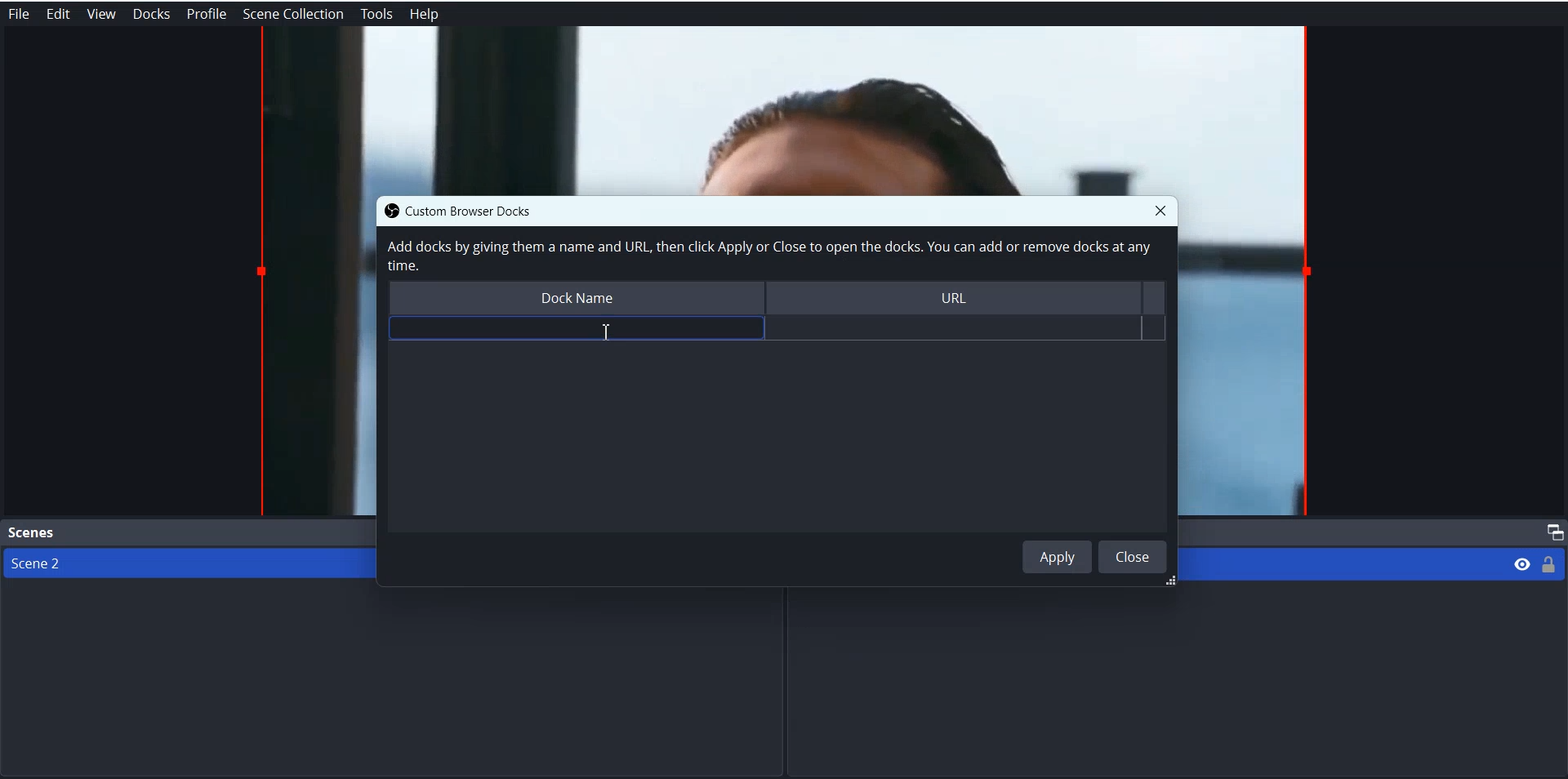  Describe the element at coordinates (962, 300) in the screenshot. I see `URL` at that location.